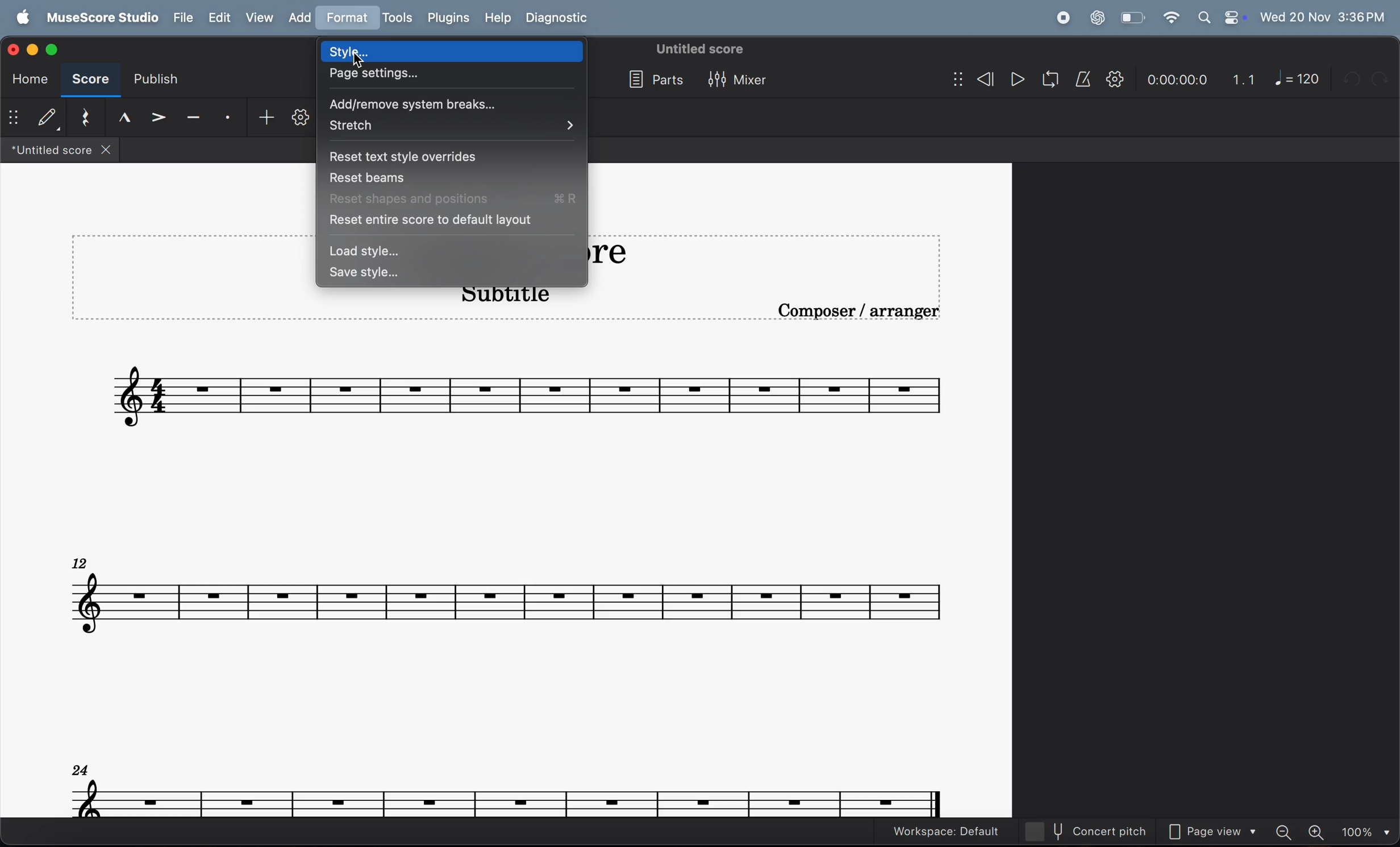 The image size is (1400, 847). I want to click on diagnostics, so click(560, 19).